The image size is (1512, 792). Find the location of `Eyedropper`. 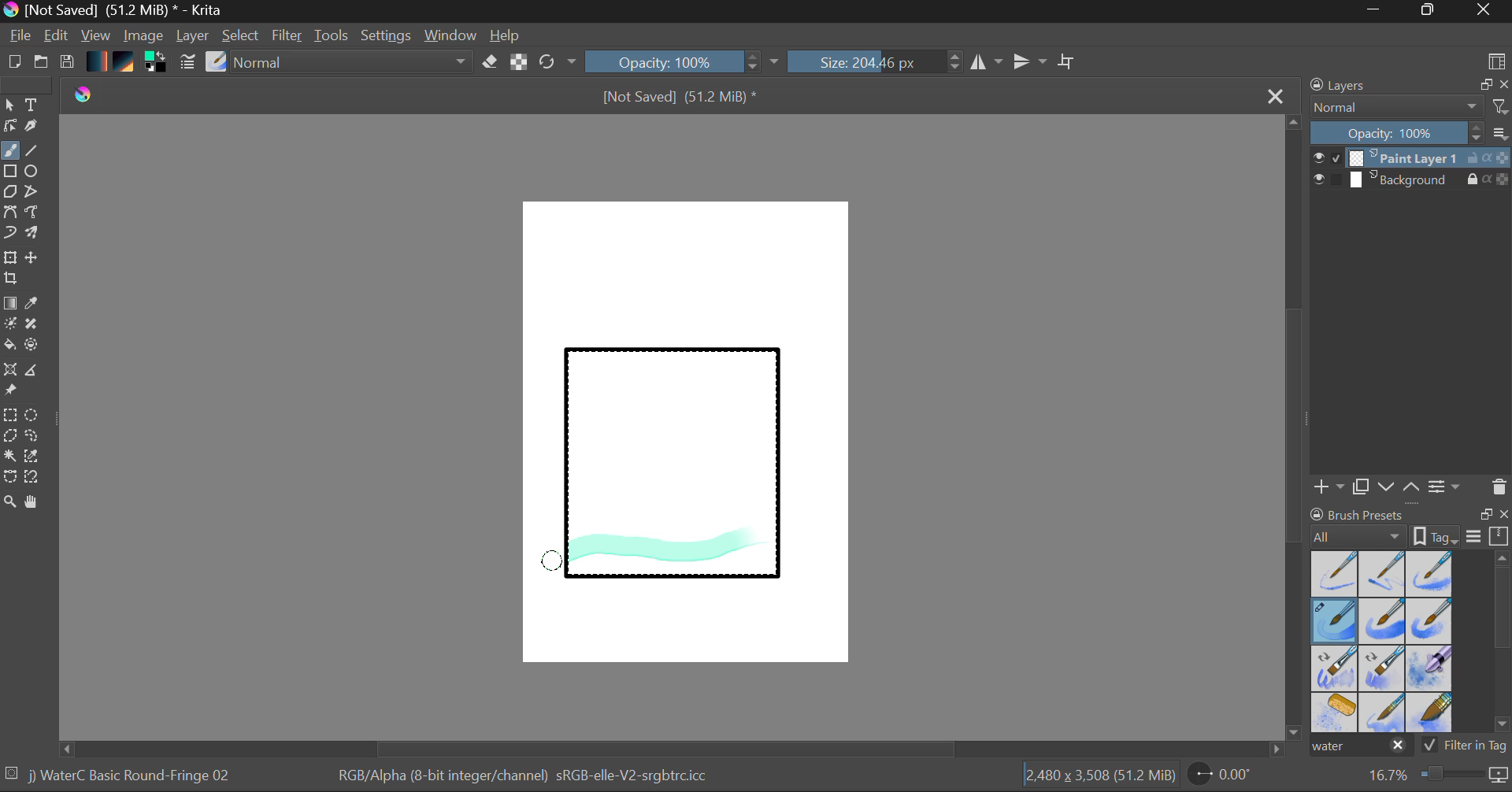

Eyedropper is located at coordinates (35, 304).